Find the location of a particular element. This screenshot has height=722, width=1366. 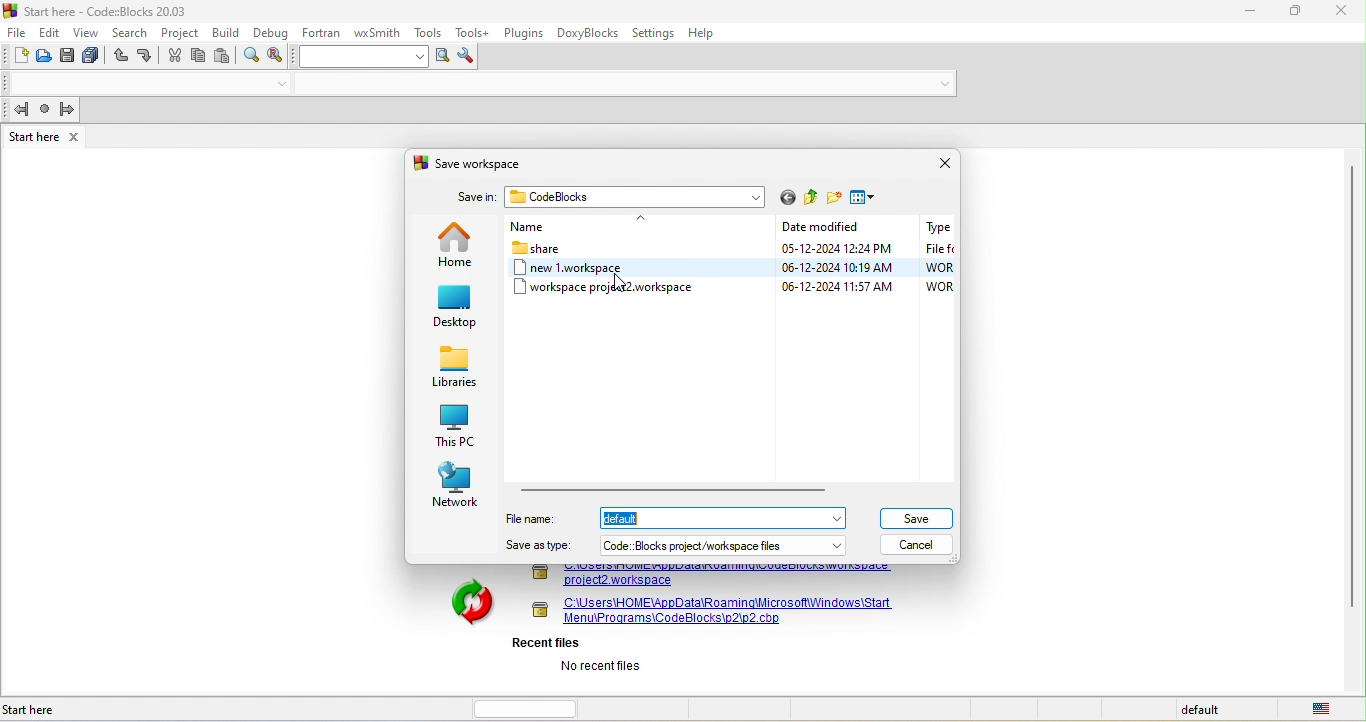

close is located at coordinates (939, 163).